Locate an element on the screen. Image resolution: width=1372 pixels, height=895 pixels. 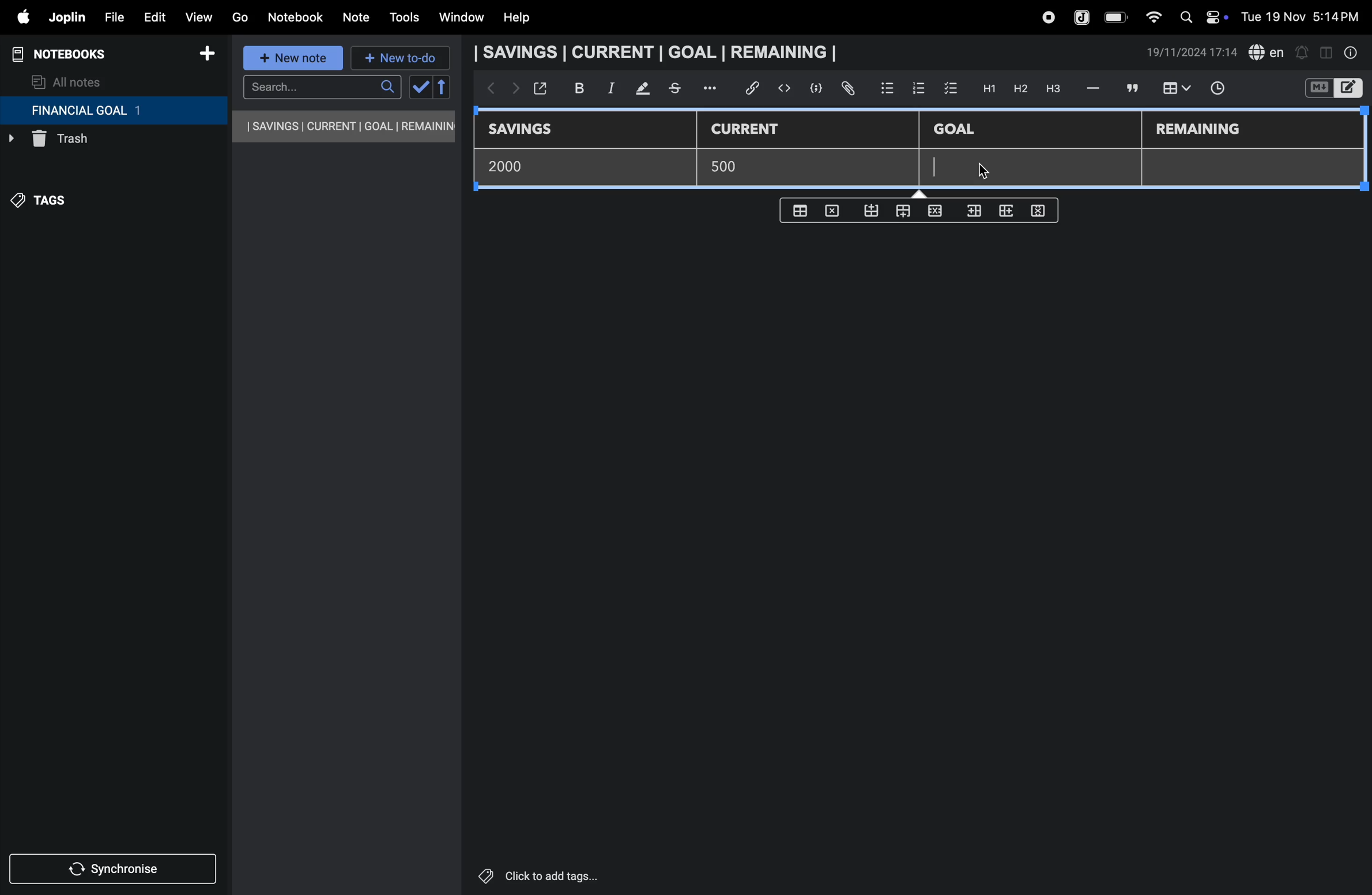
apple menu is located at coordinates (17, 17).